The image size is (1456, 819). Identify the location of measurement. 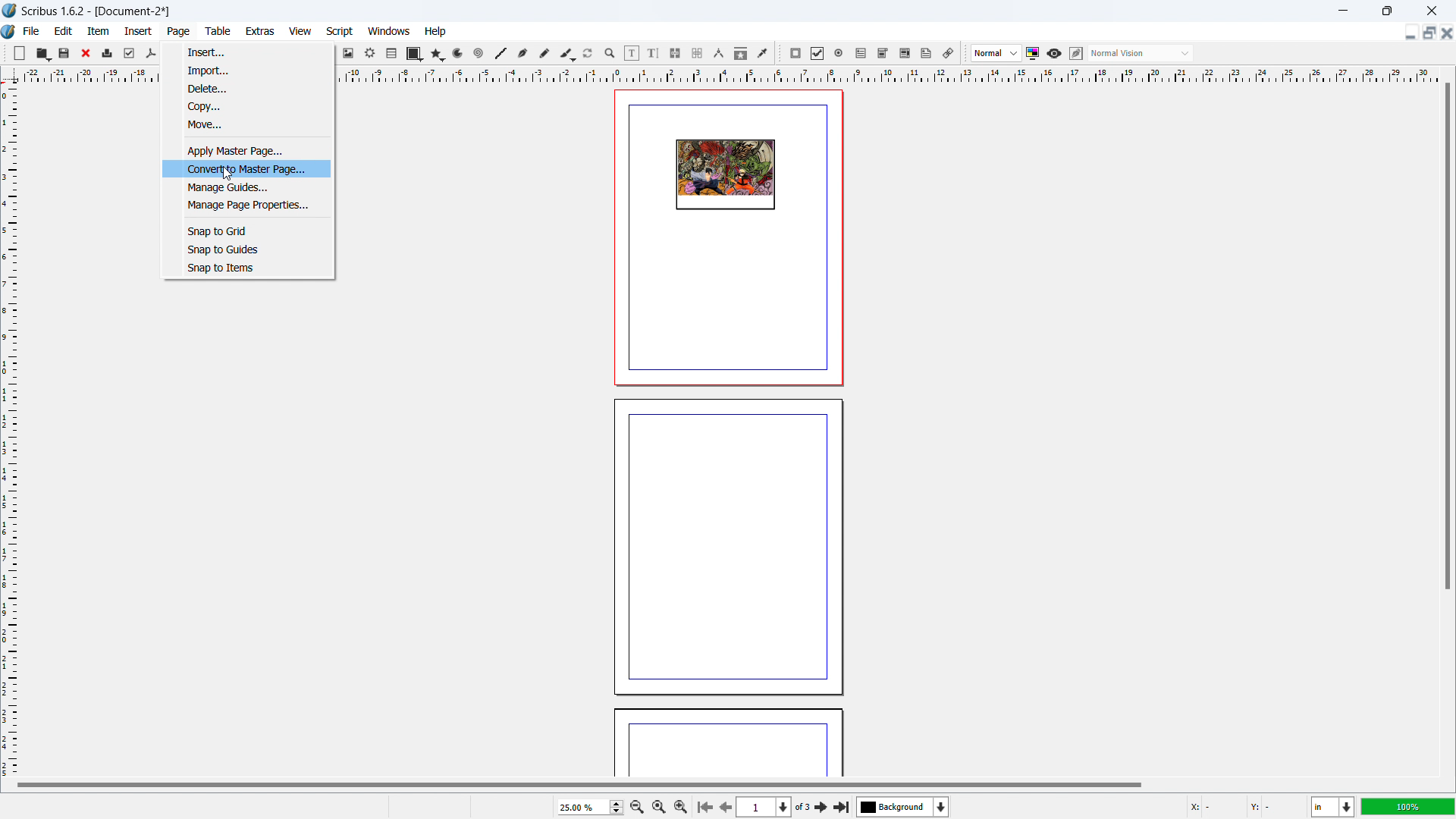
(718, 54).